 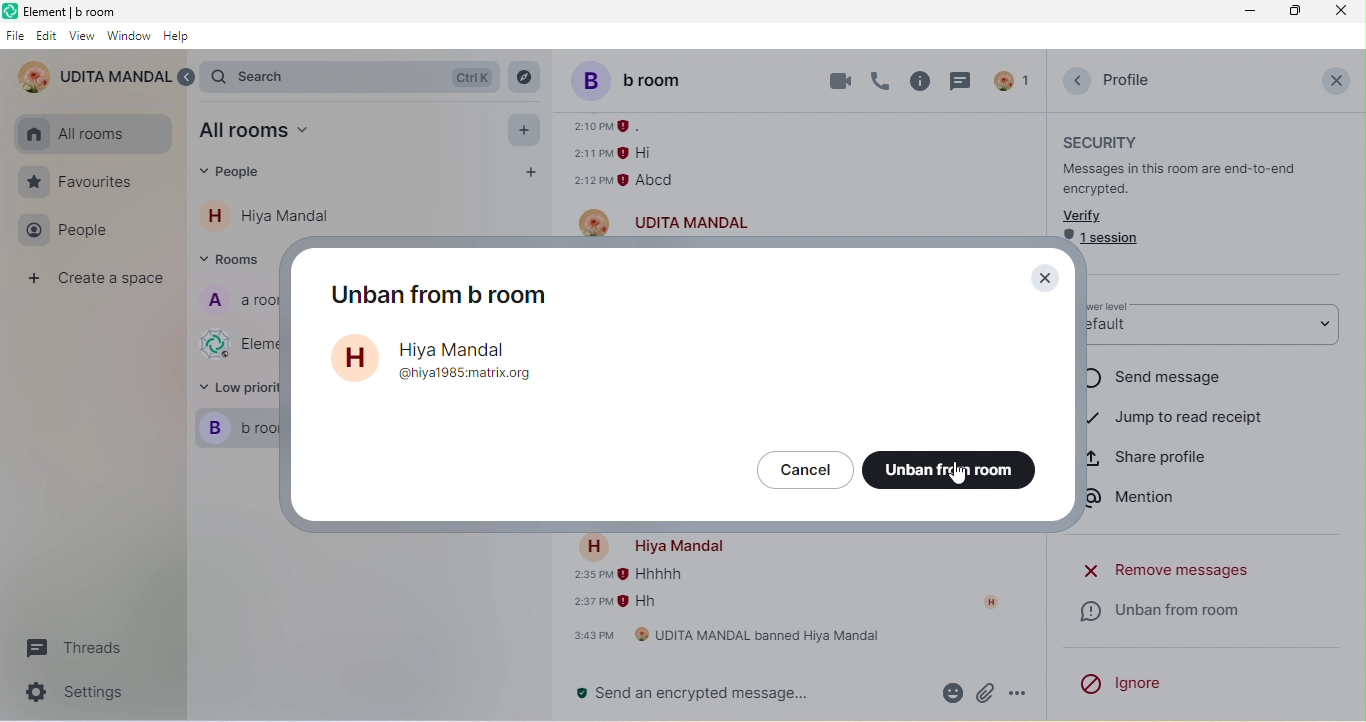 What do you see at coordinates (1357, 502) in the screenshot?
I see `scroll down` at bounding box center [1357, 502].